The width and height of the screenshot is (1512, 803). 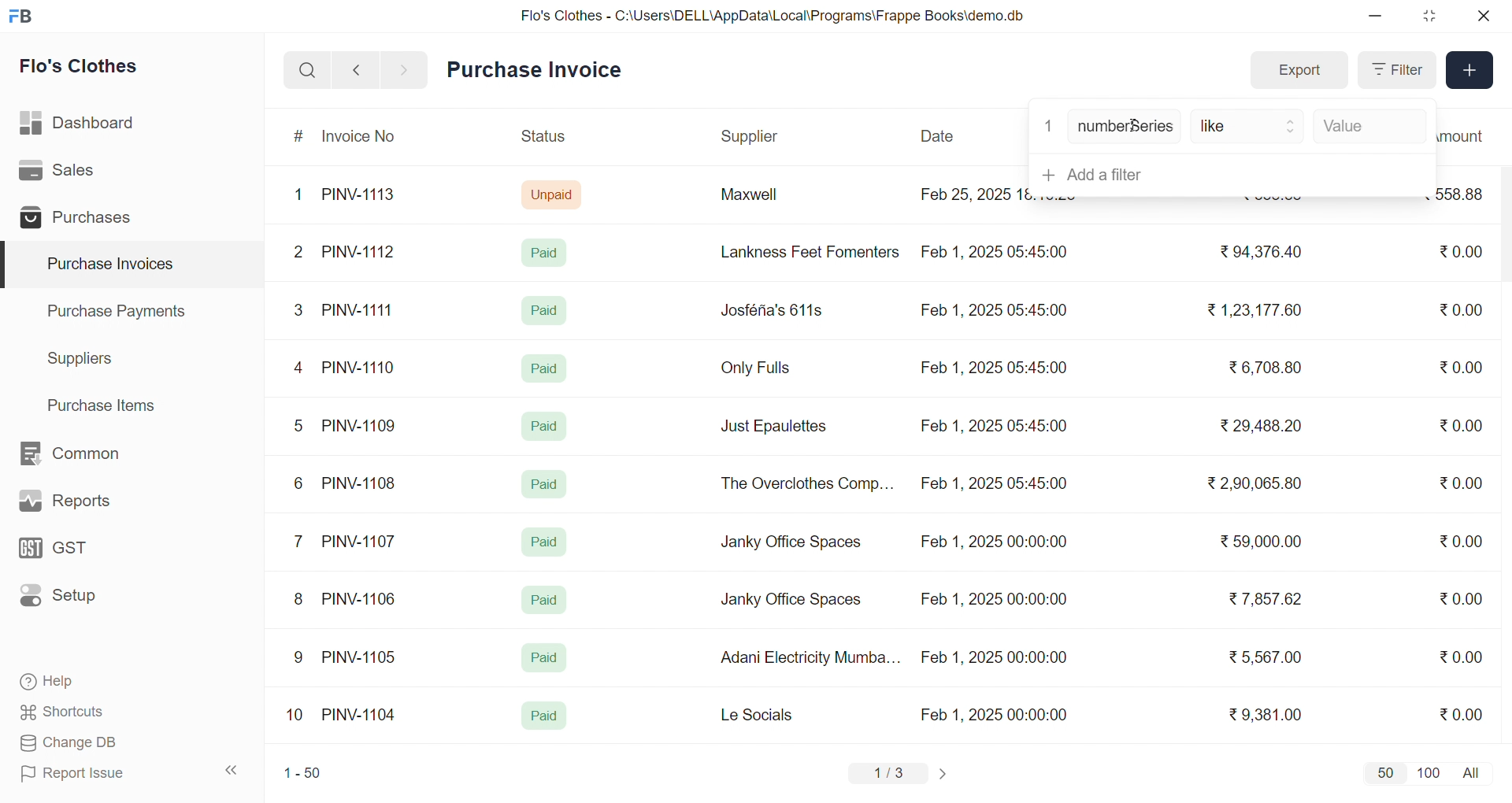 What do you see at coordinates (1256, 484) in the screenshot?
I see `₹ 2,90,065.80` at bounding box center [1256, 484].